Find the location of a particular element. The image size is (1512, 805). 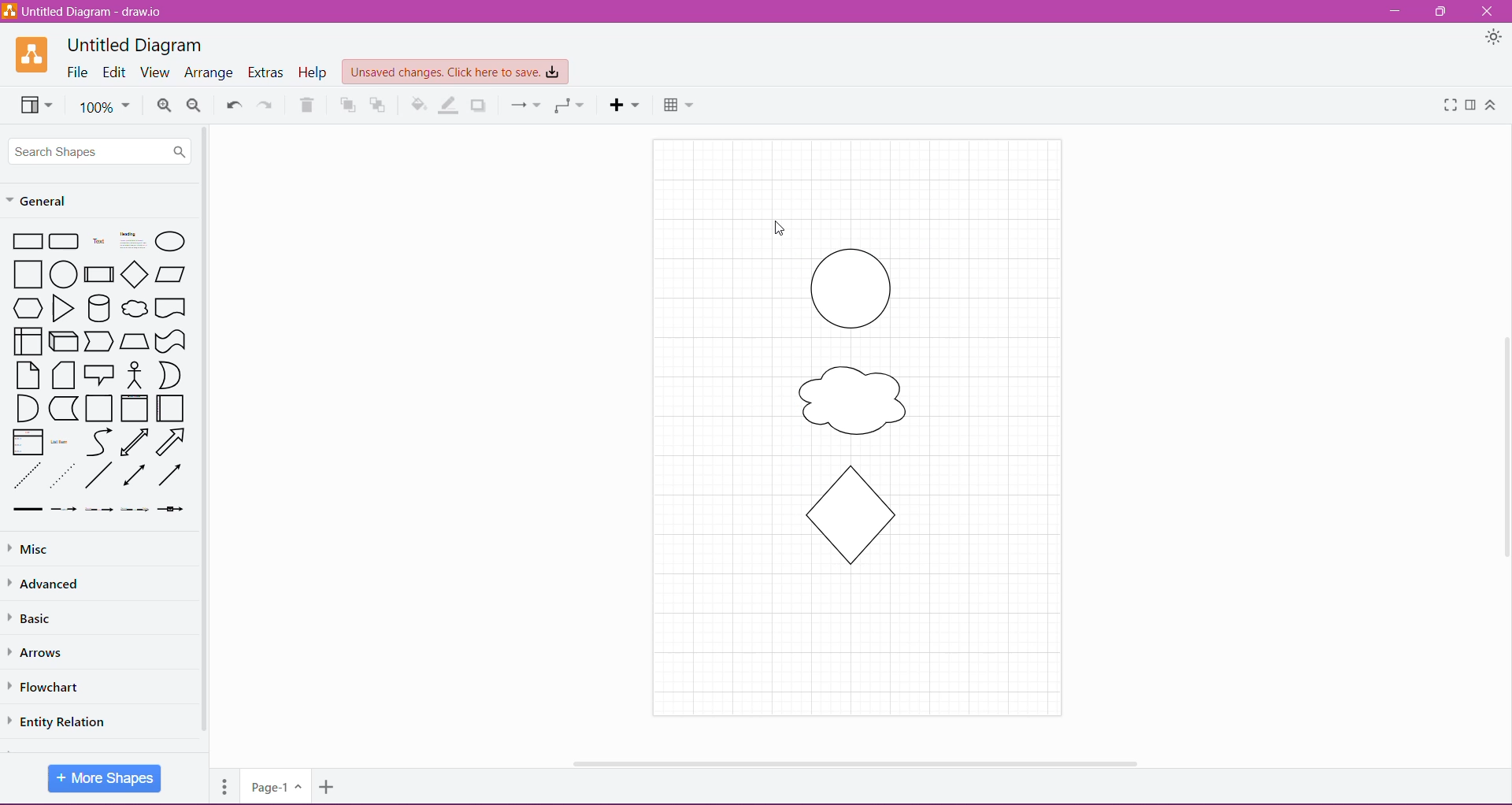

Restore Down is located at coordinates (1443, 11).